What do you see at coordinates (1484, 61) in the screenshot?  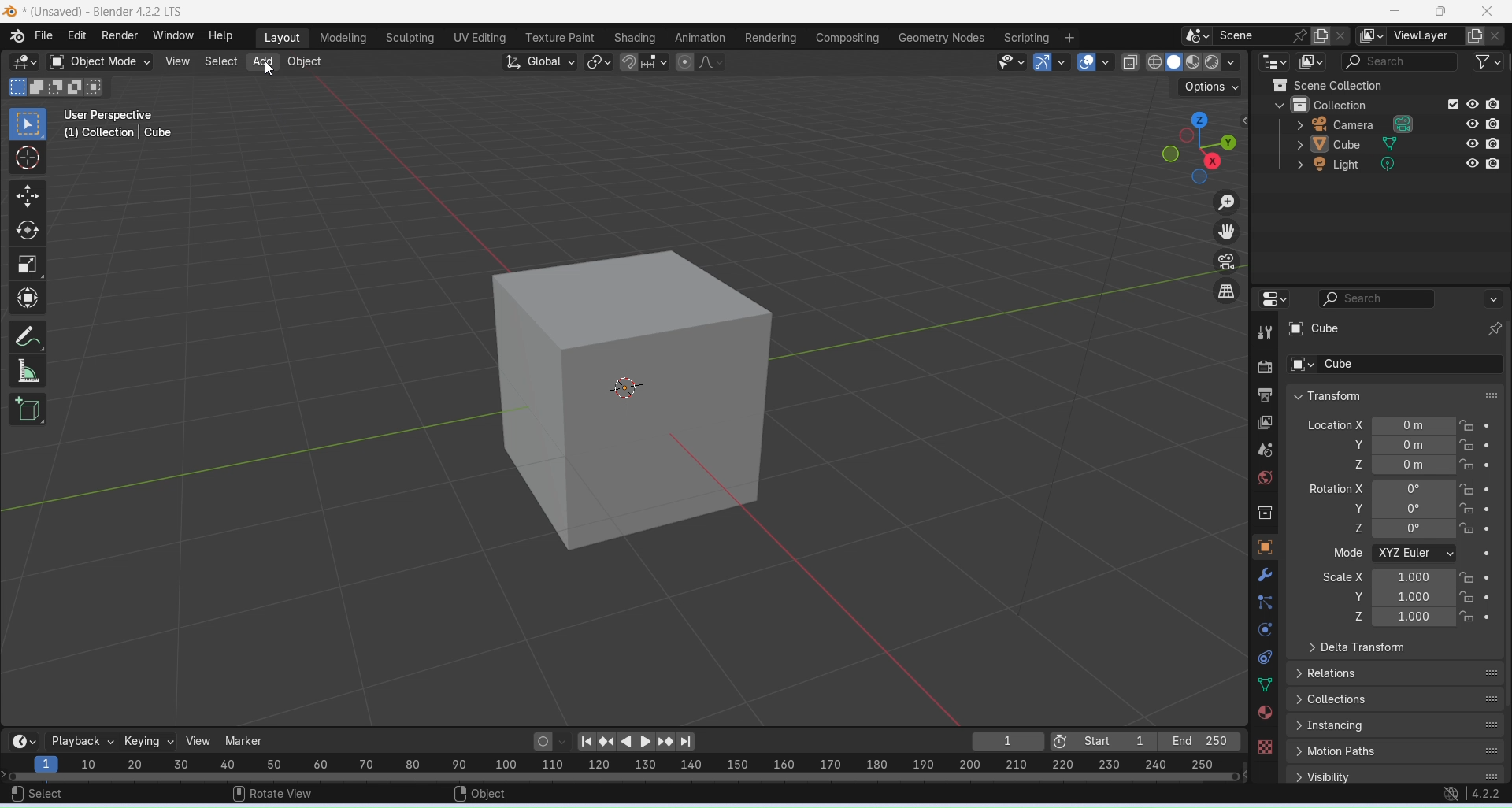 I see `Filter` at bounding box center [1484, 61].